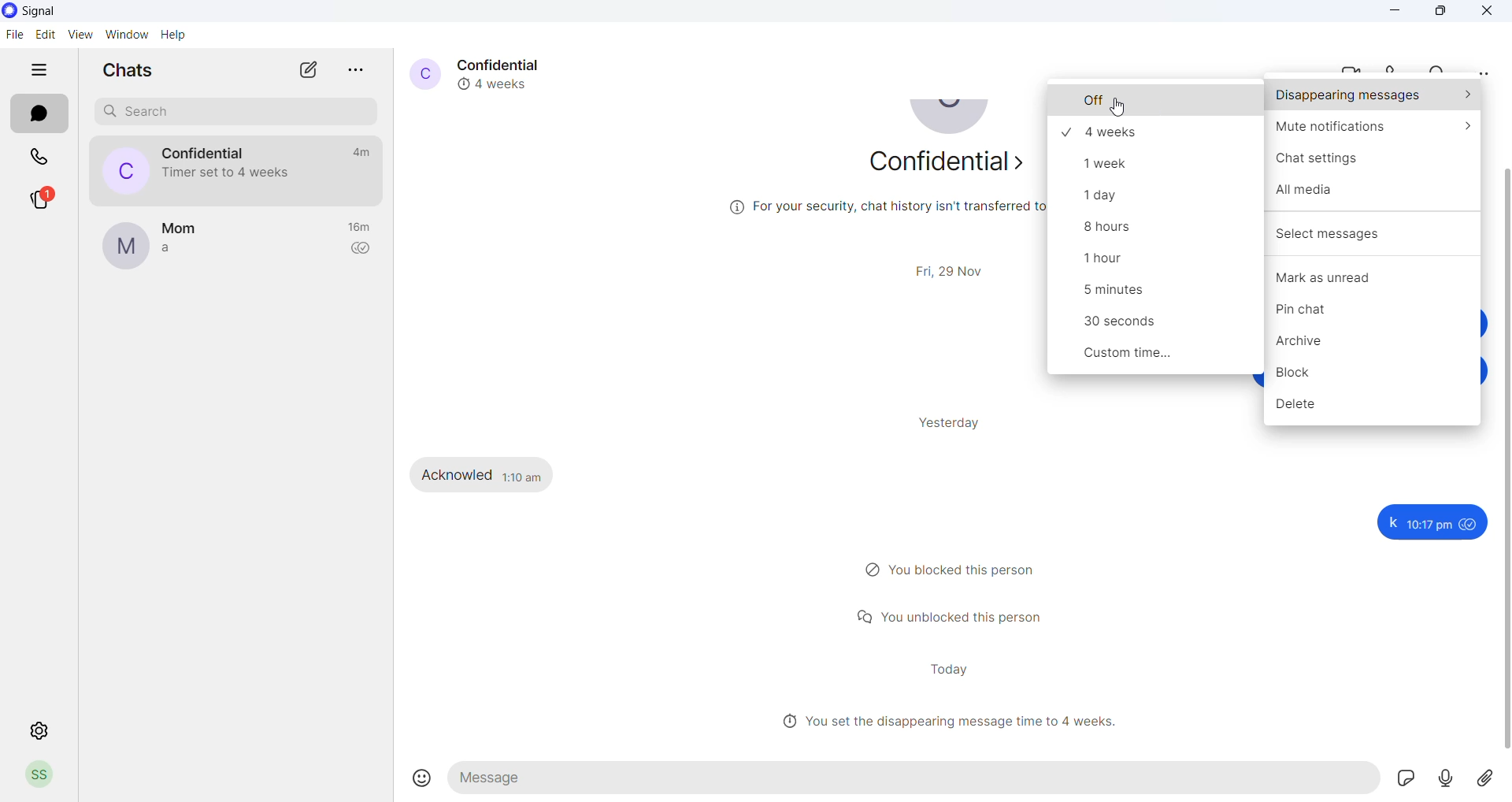  I want to click on minimize, so click(1398, 12).